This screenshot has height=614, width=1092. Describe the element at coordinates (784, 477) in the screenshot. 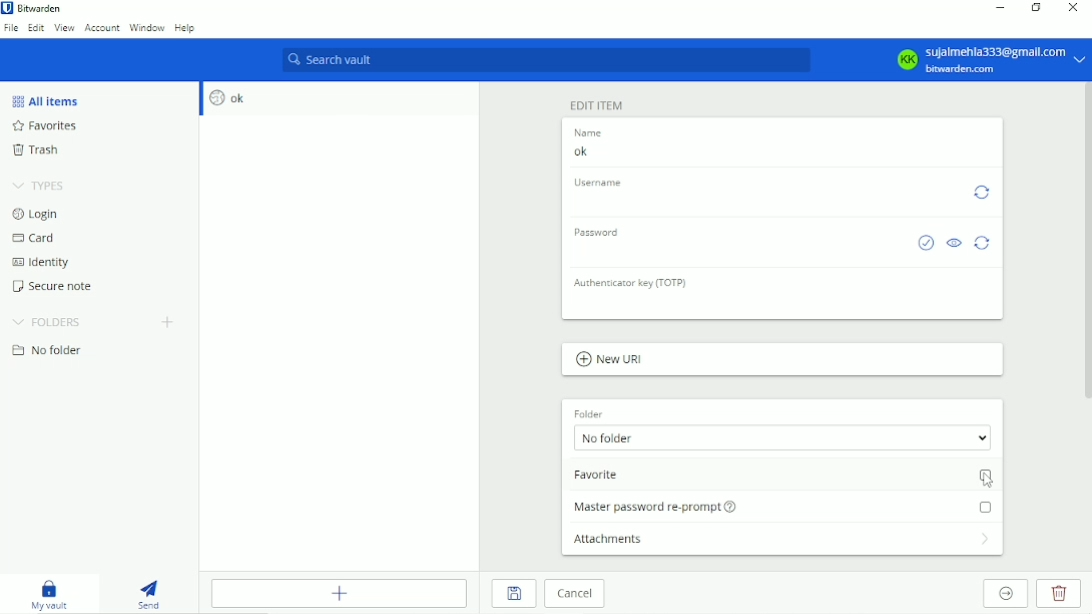

I see `Favorite` at that location.